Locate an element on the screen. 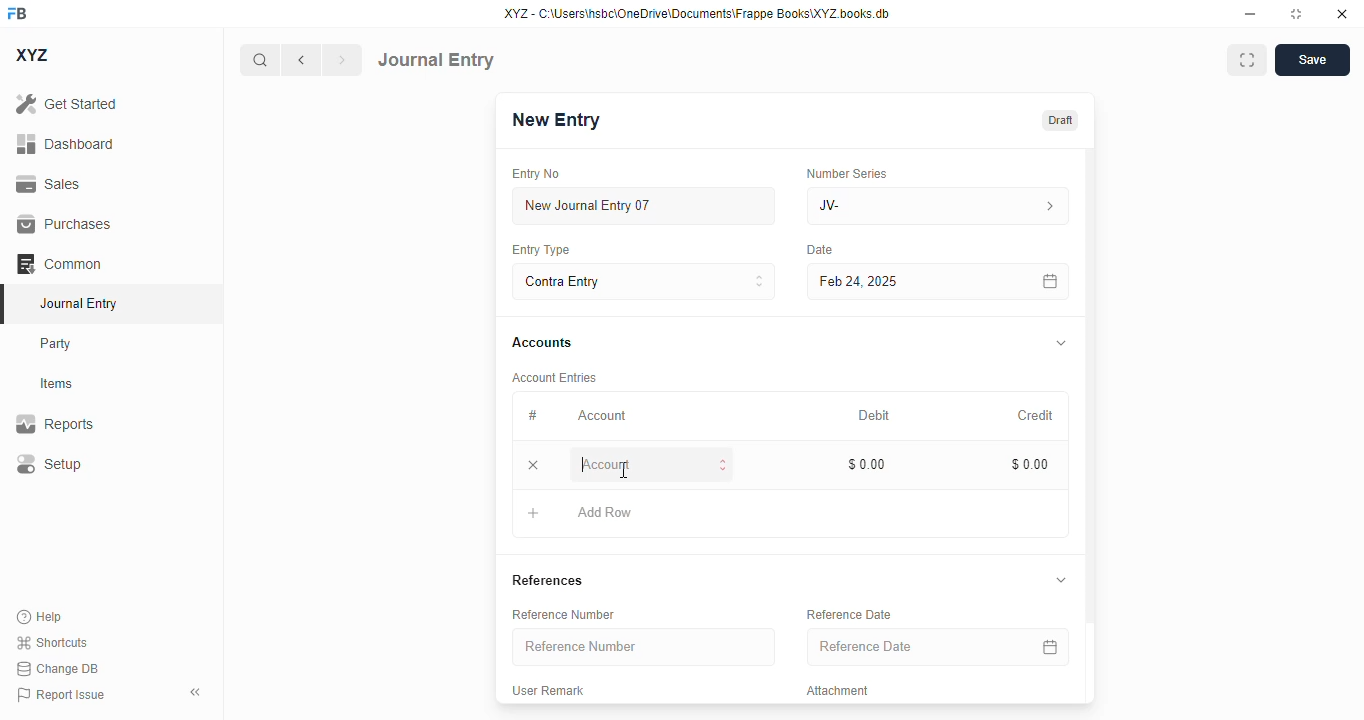 The image size is (1364, 720). JV- is located at coordinates (938, 206).